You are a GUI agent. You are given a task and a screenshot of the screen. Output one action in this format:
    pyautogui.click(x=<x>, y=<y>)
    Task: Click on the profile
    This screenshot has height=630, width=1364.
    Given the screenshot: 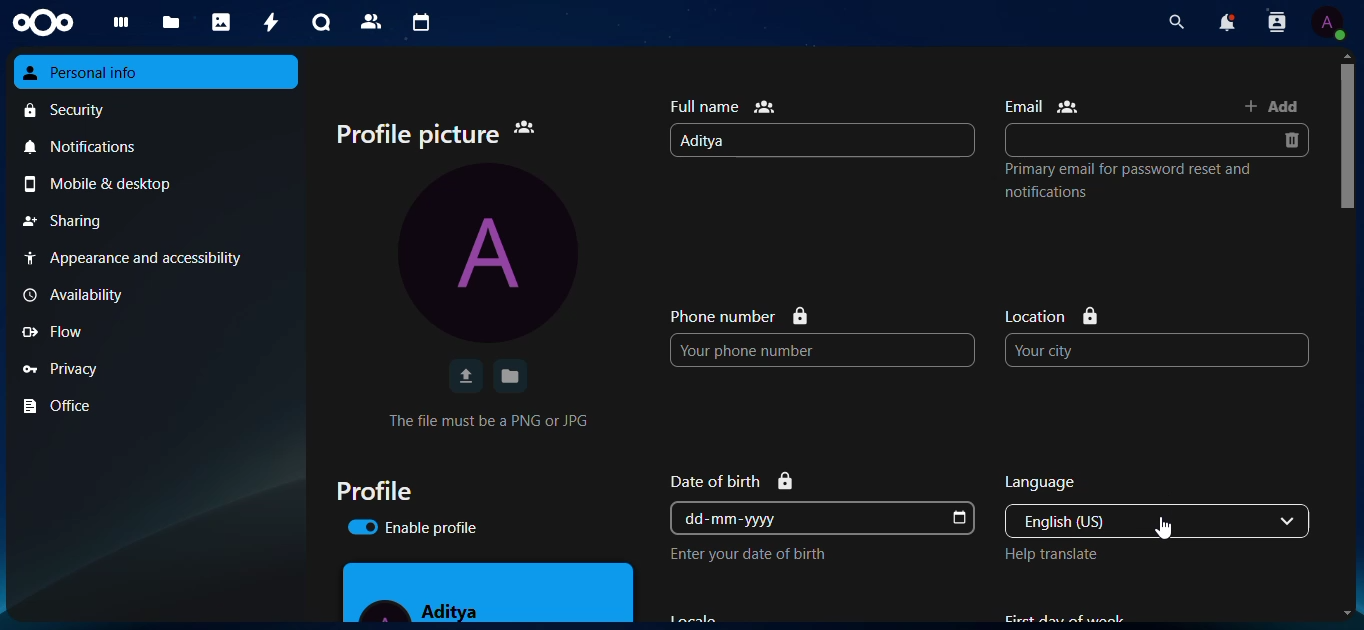 What is the action you would take?
    pyautogui.click(x=496, y=255)
    